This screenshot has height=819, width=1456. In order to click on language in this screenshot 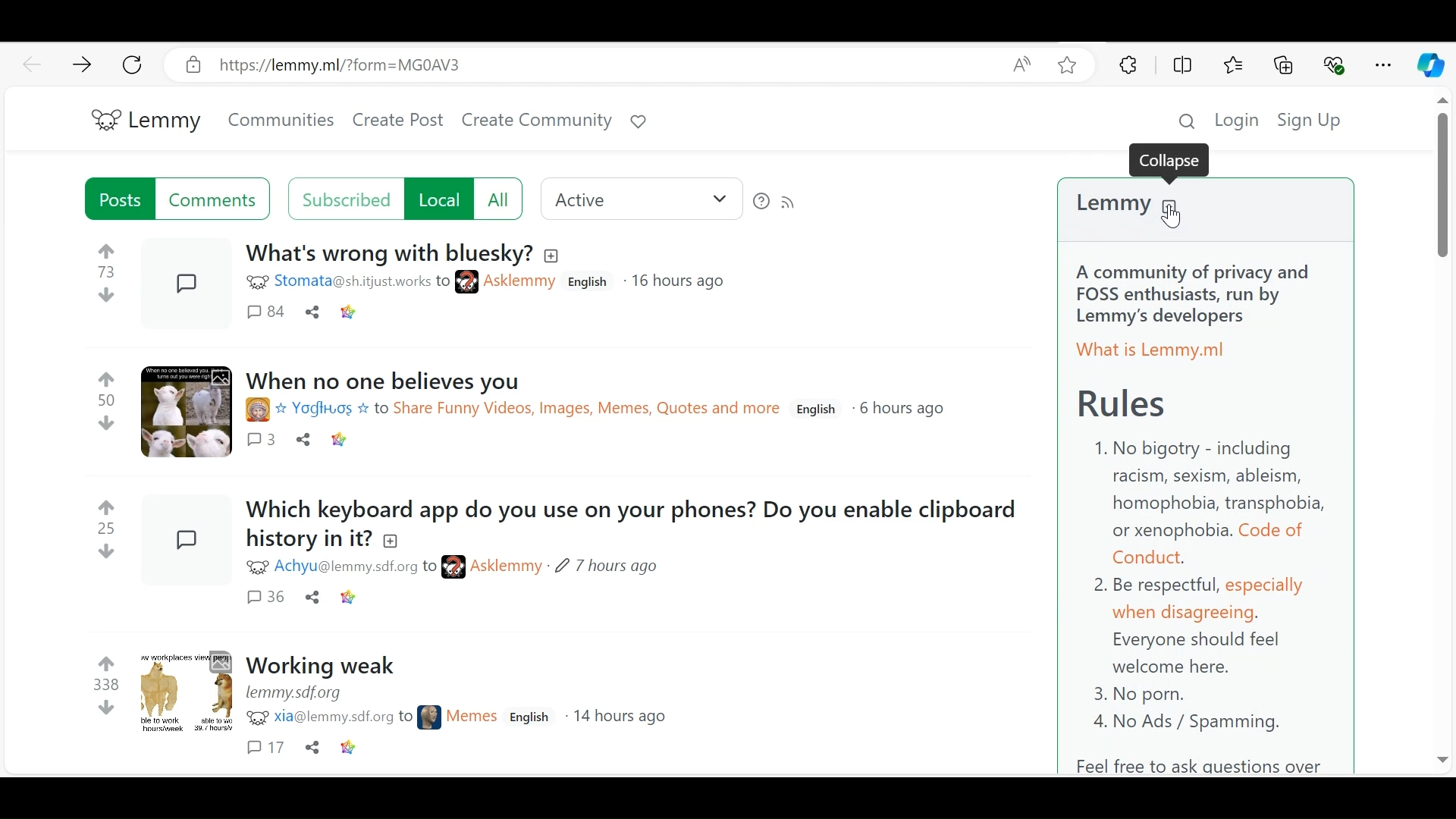, I will do `click(531, 717)`.